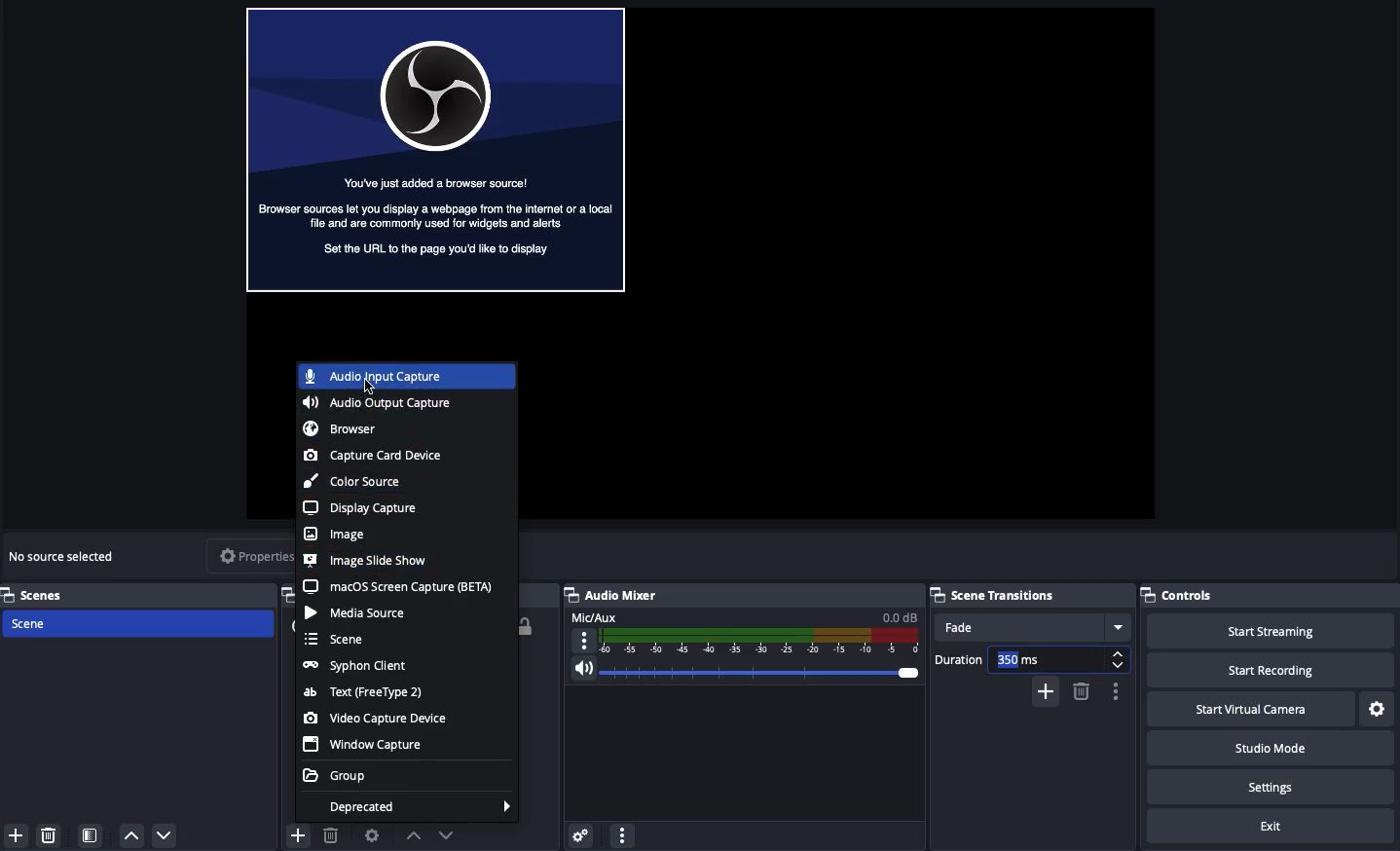 This screenshot has width=1400, height=851. What do you see at coordinates (370, 836) in the screenshot?
I see `Source preferences` at bounding box center [370, 836].